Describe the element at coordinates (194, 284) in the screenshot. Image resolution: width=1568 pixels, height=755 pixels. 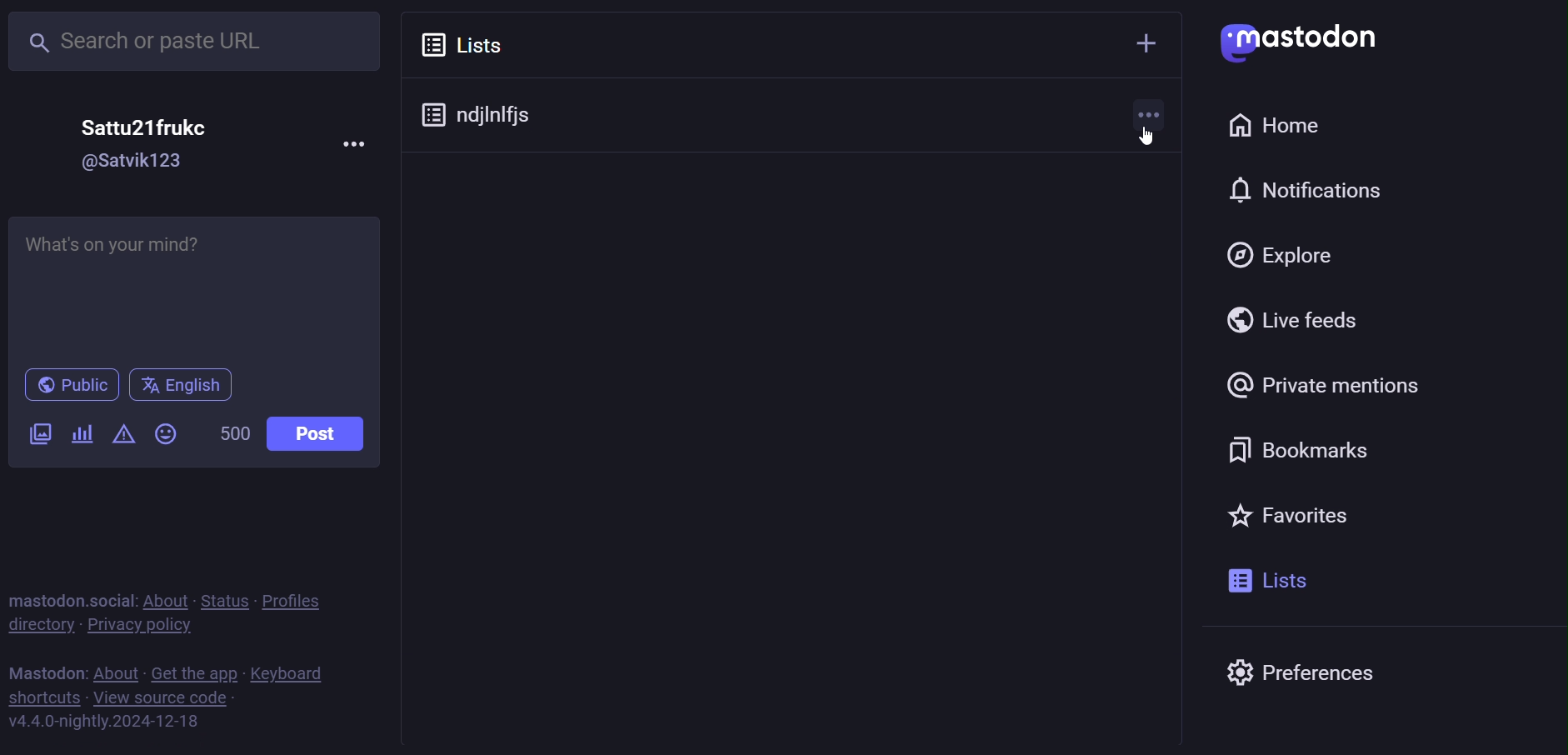
I see `Whats on your mind` at that location.